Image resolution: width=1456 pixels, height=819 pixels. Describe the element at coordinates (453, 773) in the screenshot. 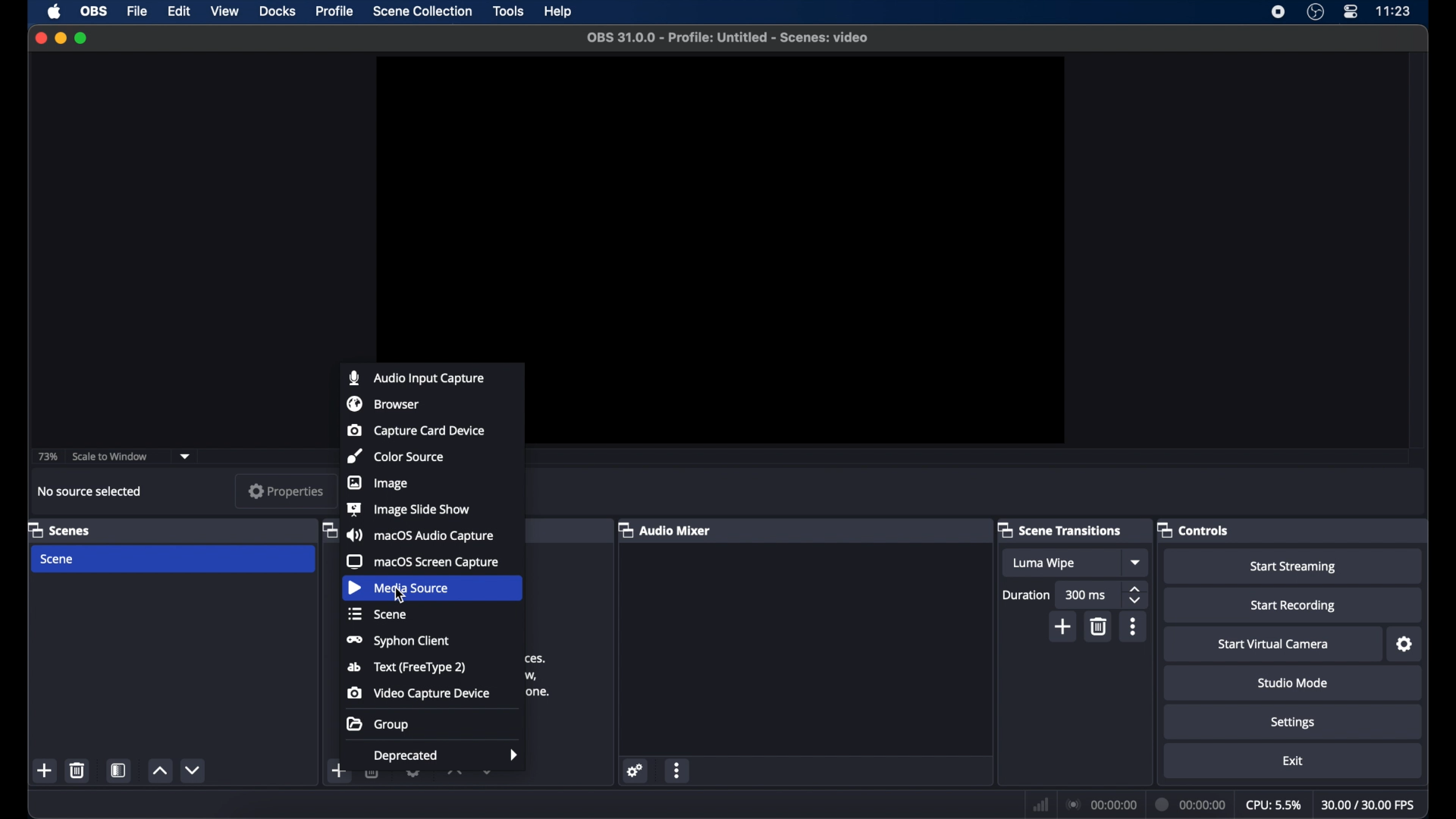

I see `increment` at that location.